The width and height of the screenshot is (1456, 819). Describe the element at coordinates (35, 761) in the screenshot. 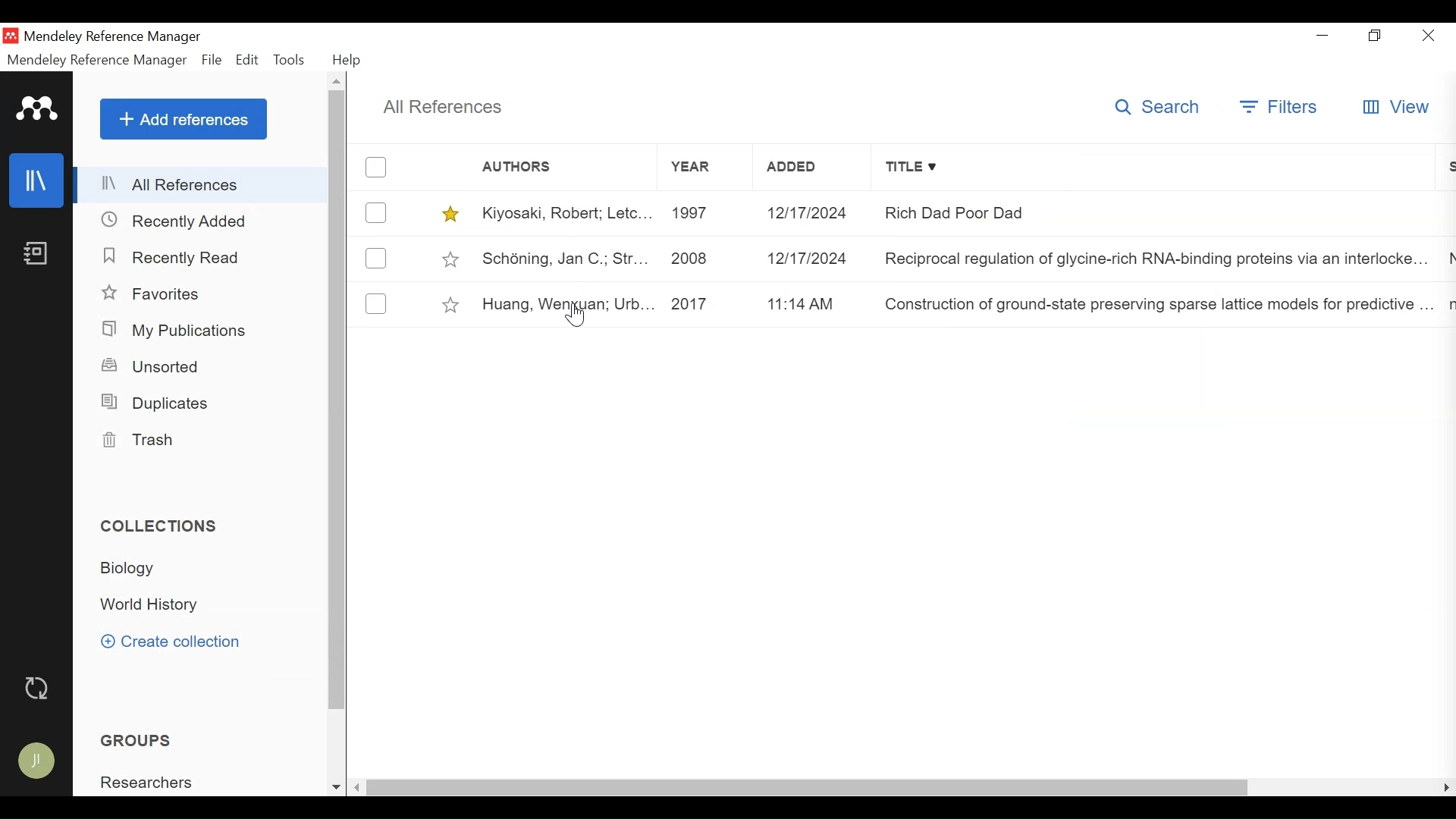

I see `Avatar` at that location.